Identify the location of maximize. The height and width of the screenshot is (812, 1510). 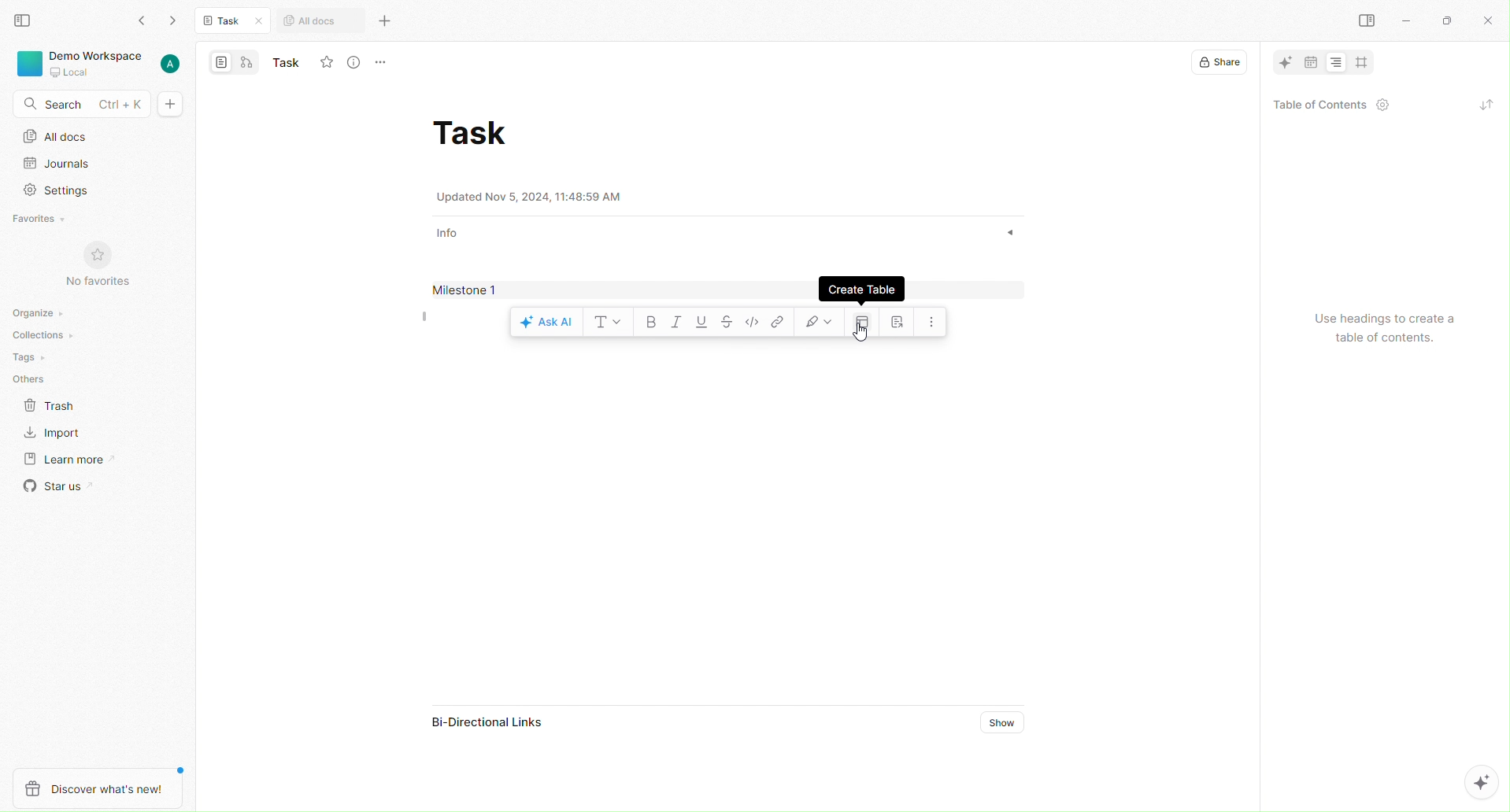
(1447, 21).